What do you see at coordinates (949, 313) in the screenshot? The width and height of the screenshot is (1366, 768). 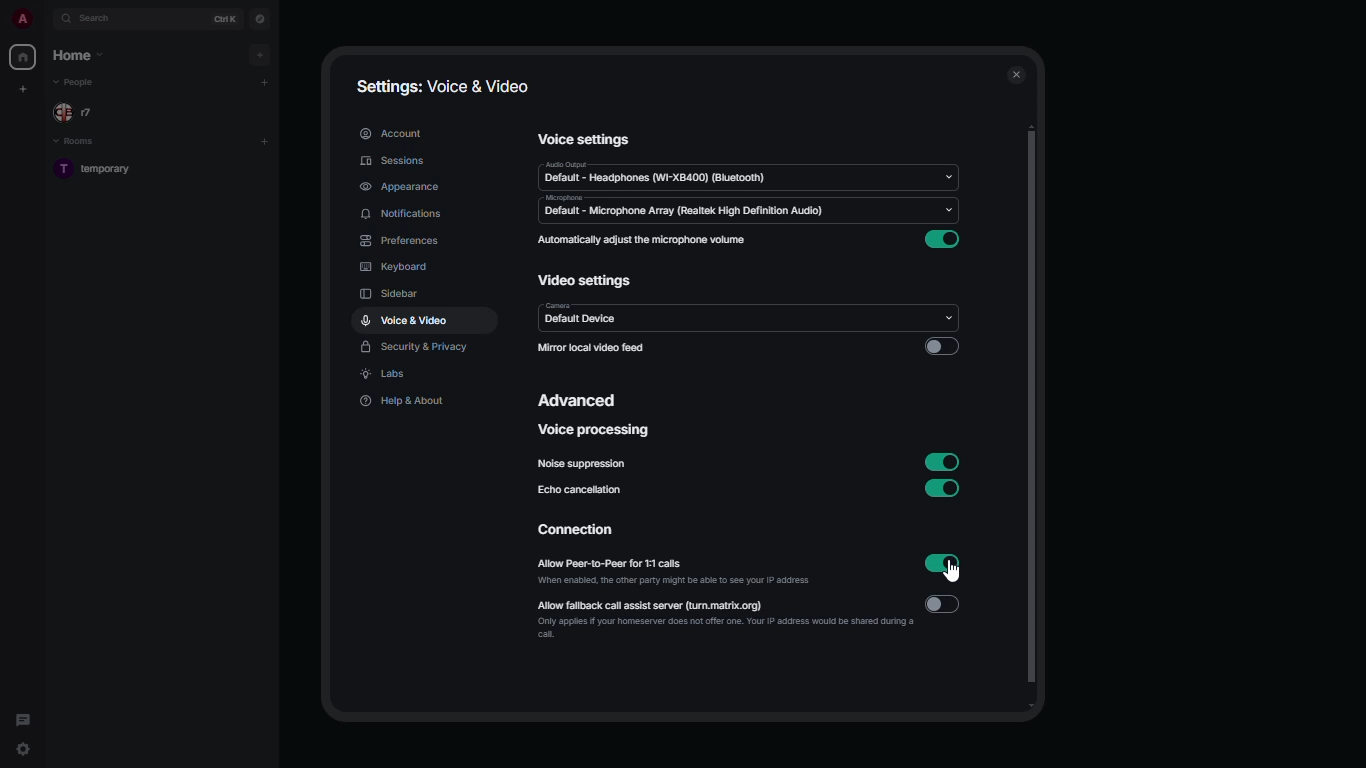 I see `drop down` at bounding box center [949, 313].